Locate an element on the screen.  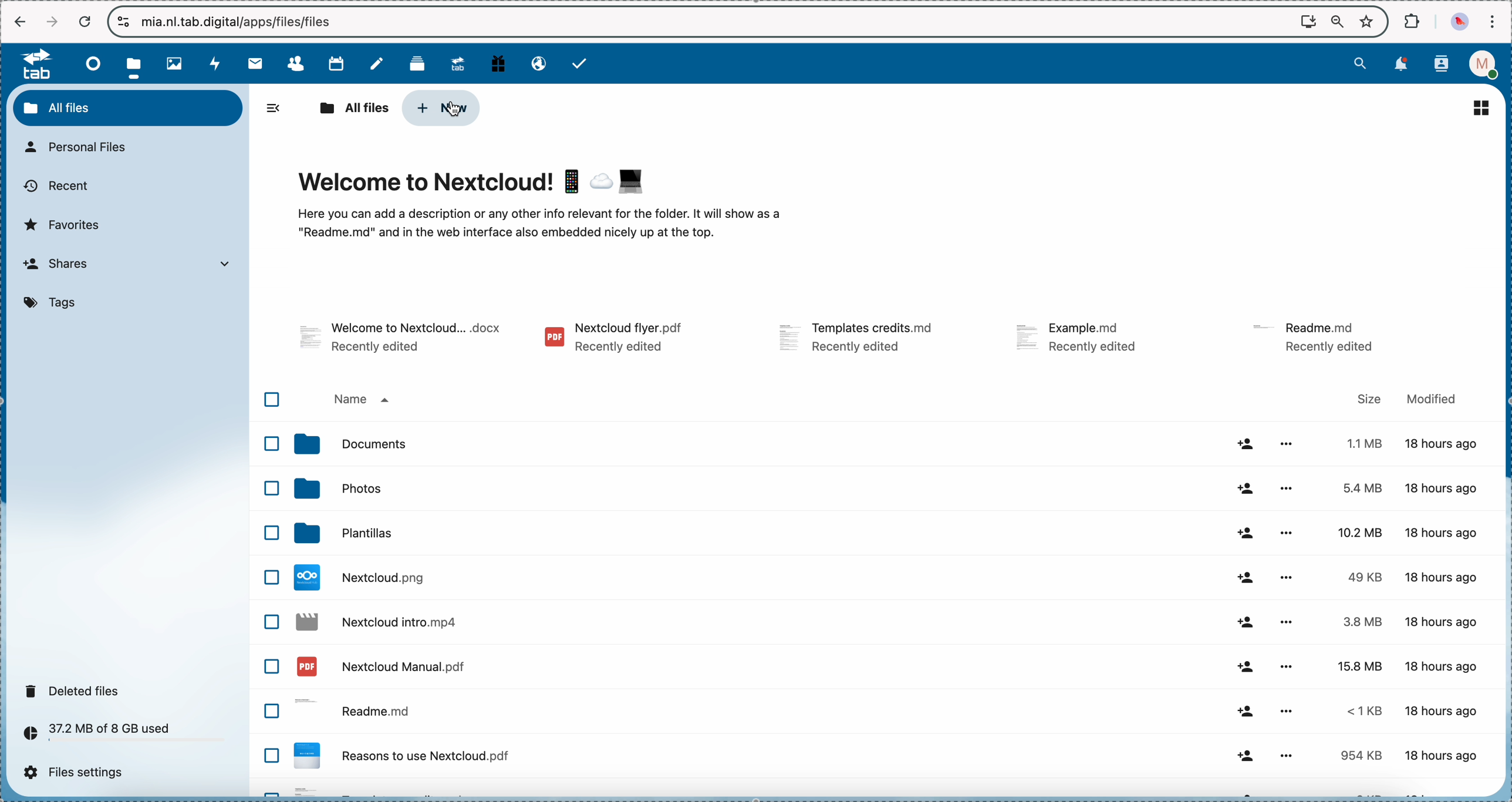
controls is located at coordinates (124, 22).